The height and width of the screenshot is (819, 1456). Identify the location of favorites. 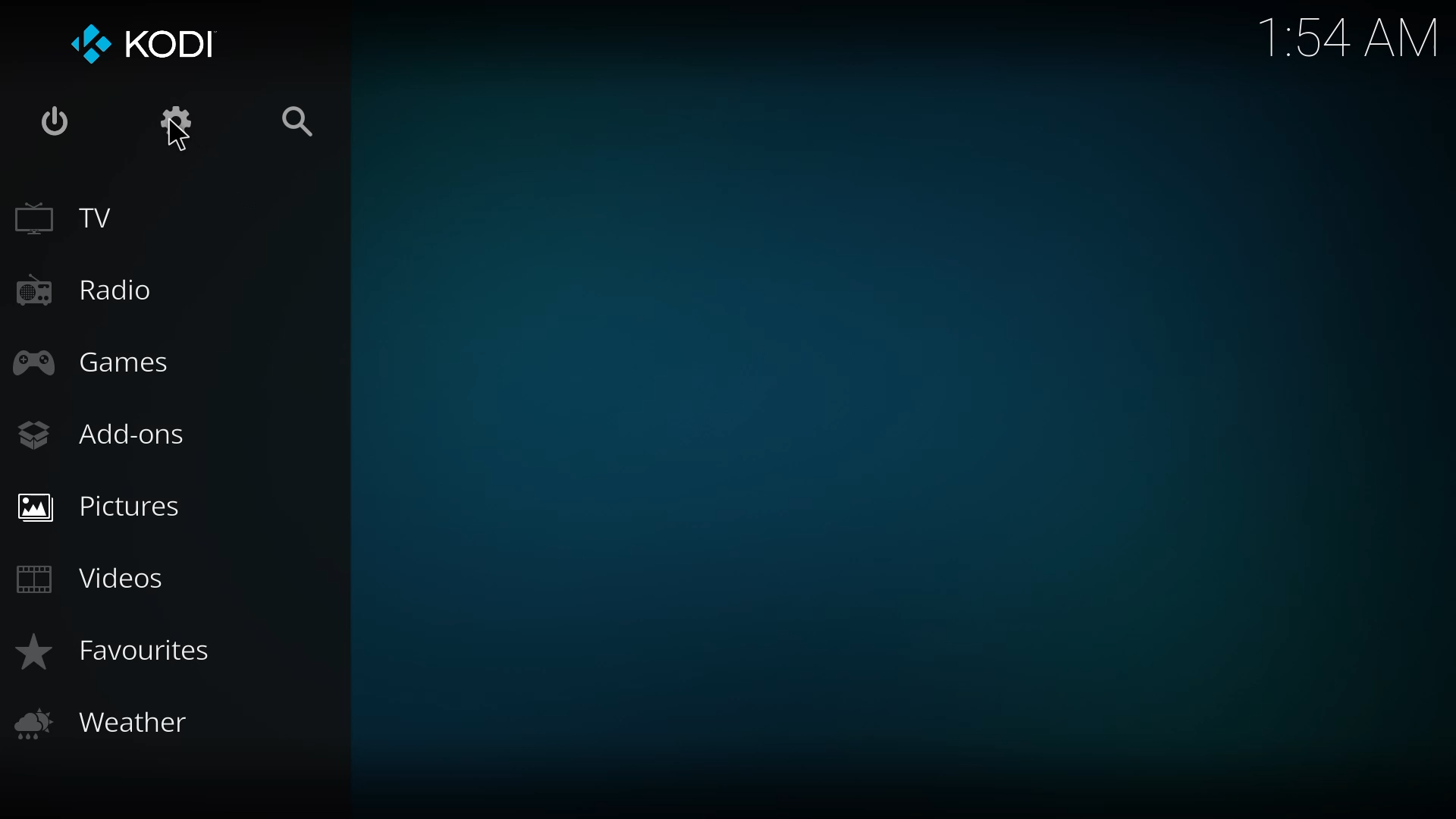
(120, 651).